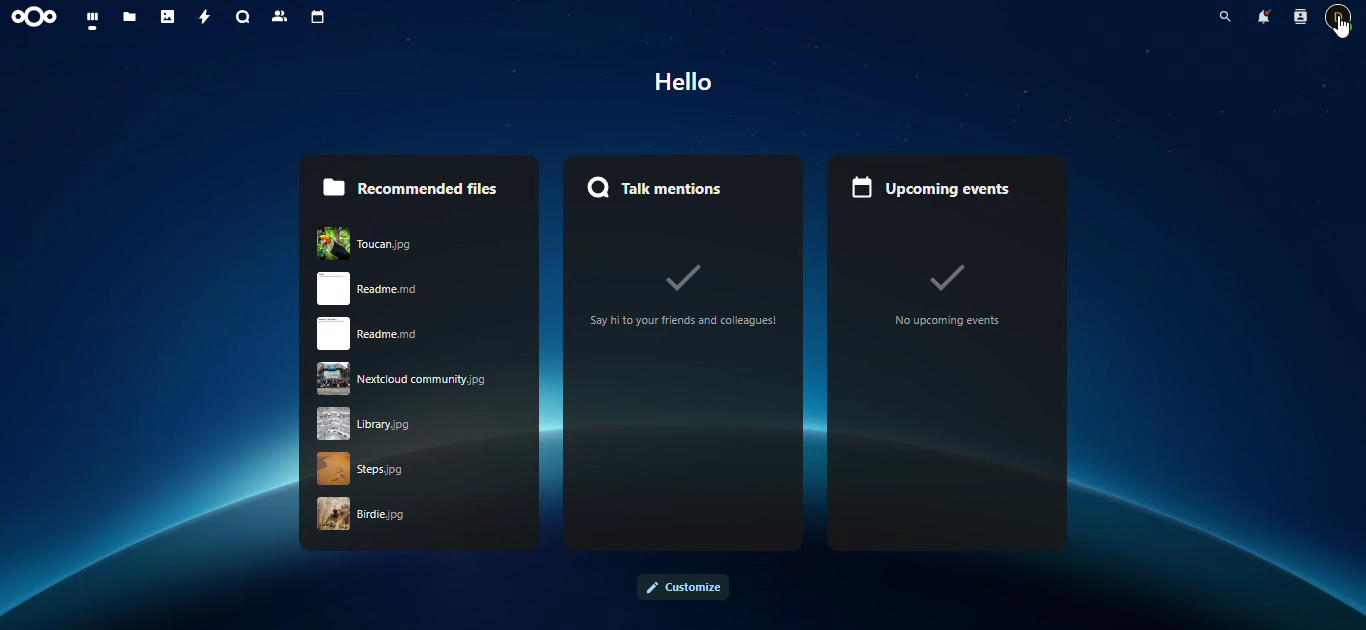  I want to click on files, so click(132, 19).